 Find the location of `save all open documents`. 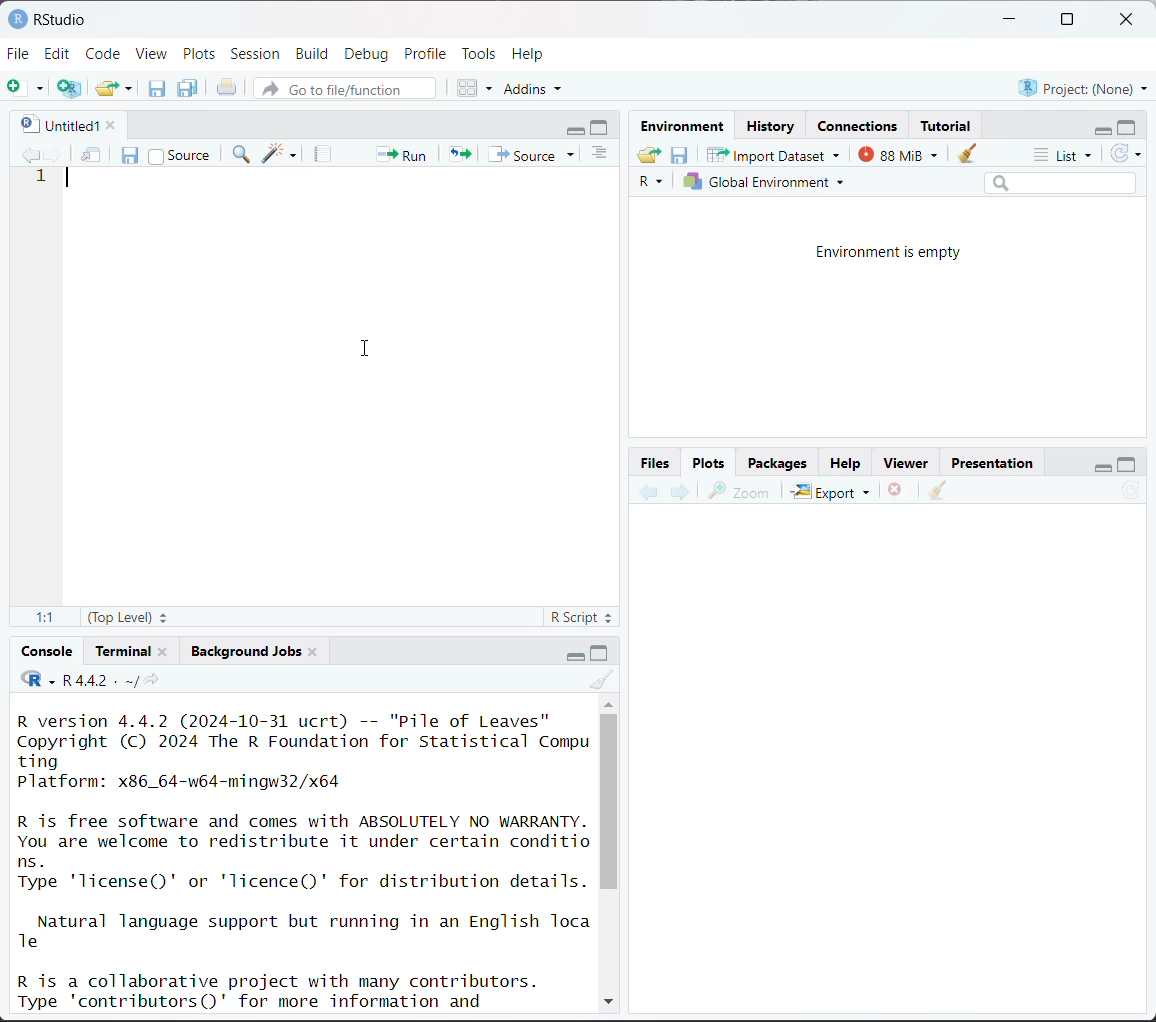

save all open documents is located at coordinates (189, 88).